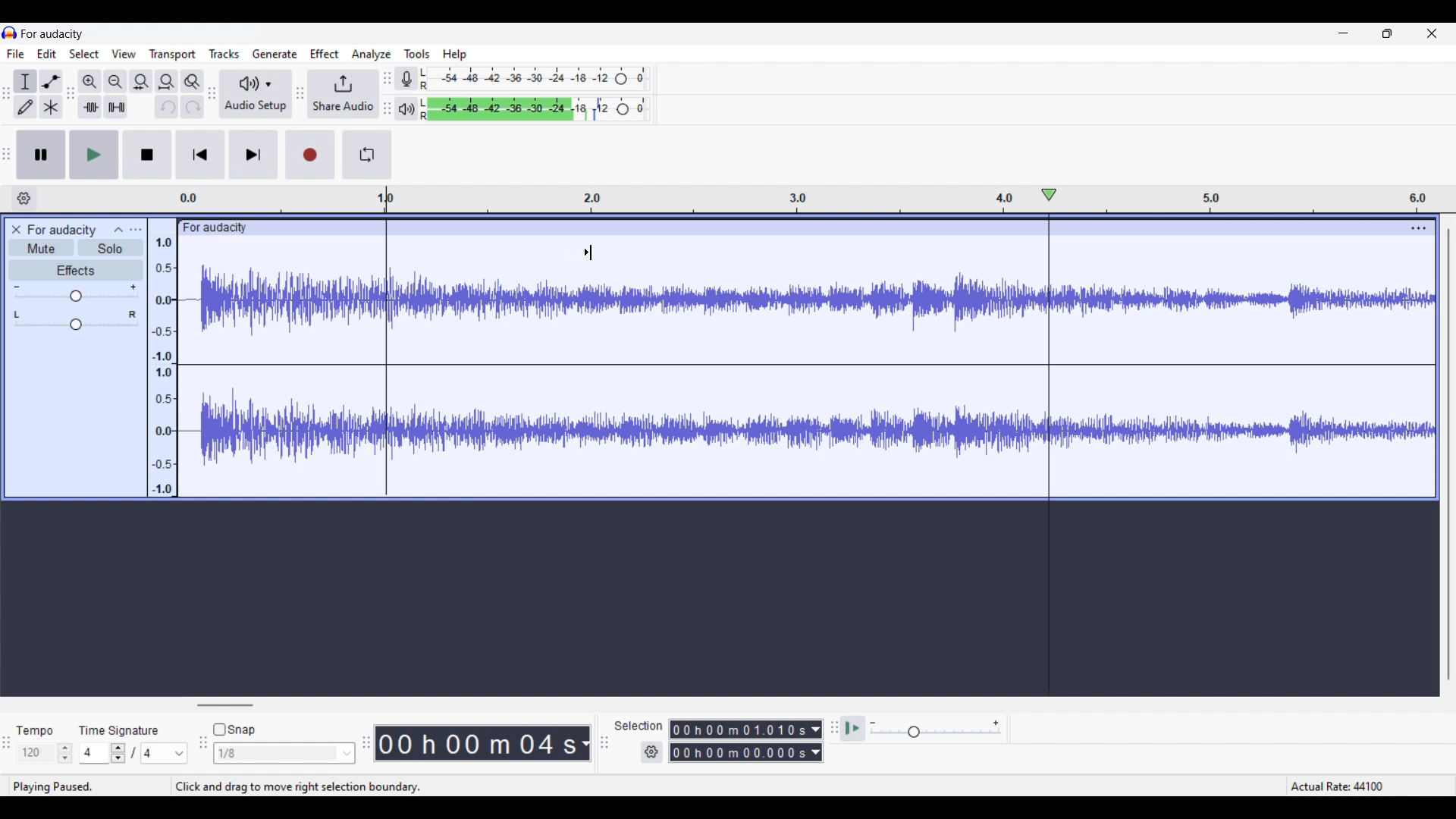 The image size is (1456, 819). I want to click on File menu, so click(16, 54).